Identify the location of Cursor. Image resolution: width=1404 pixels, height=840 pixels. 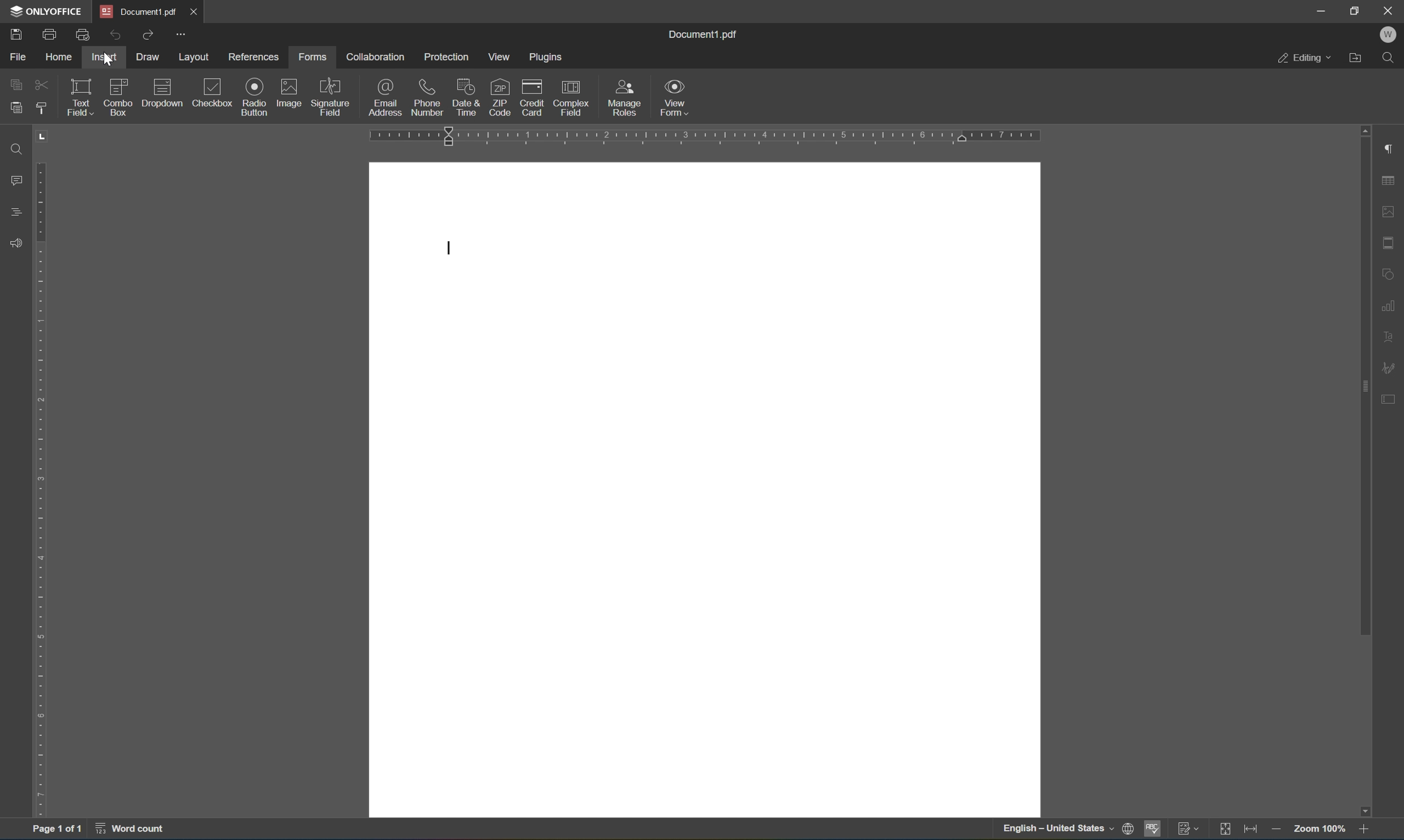
(110, 62).